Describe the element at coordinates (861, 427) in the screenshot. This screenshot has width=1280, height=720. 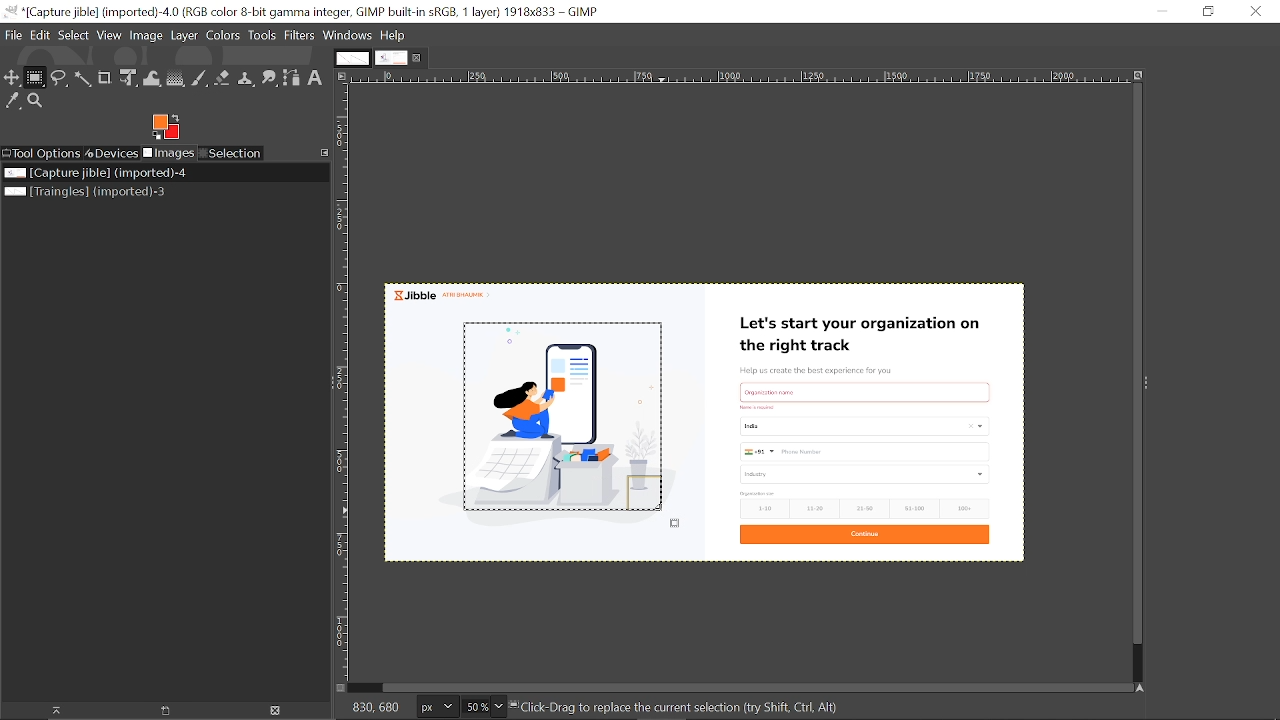
I see `image` at that location.